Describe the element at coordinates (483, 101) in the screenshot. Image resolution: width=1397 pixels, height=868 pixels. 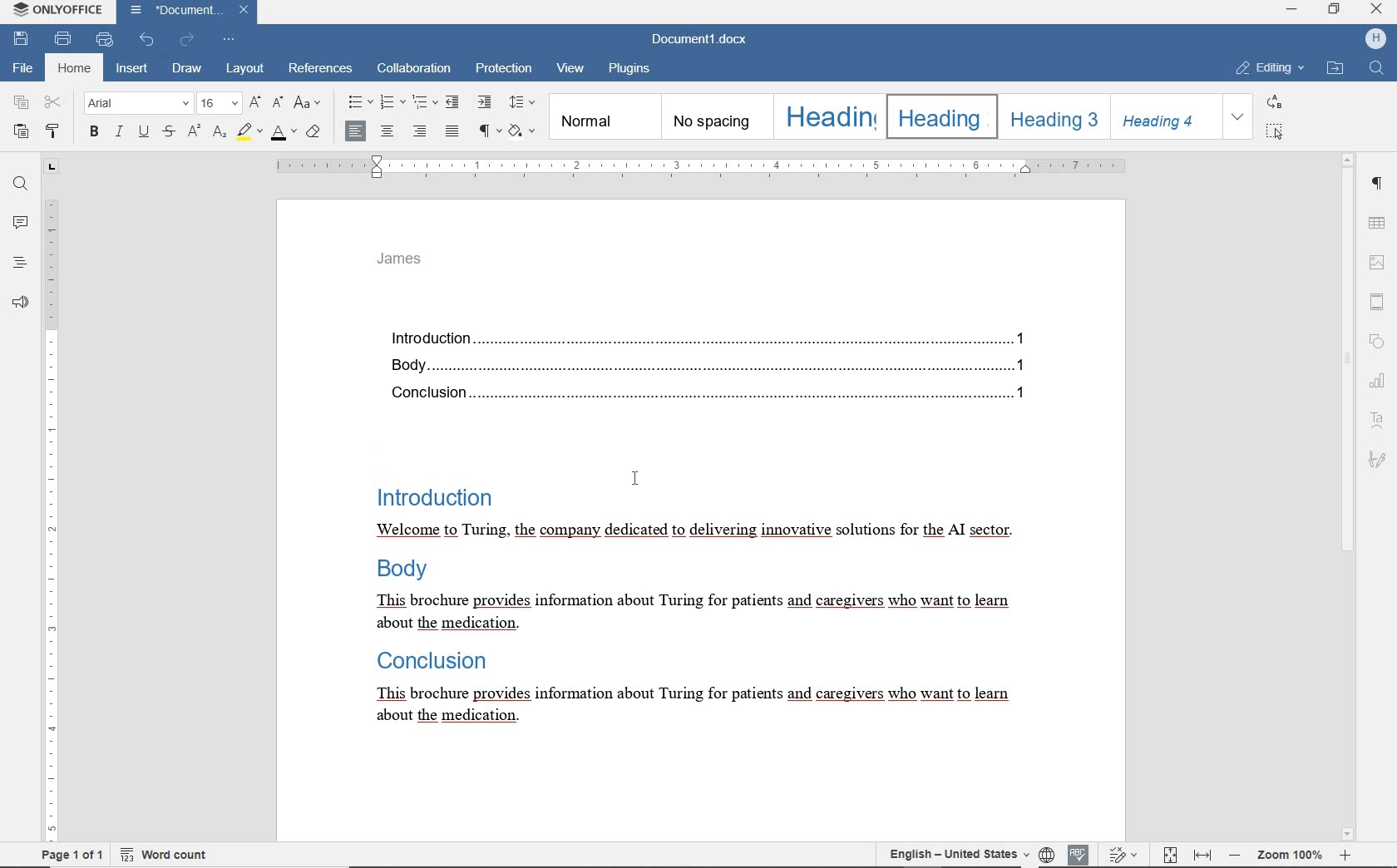
I see `increase indent` at that location.